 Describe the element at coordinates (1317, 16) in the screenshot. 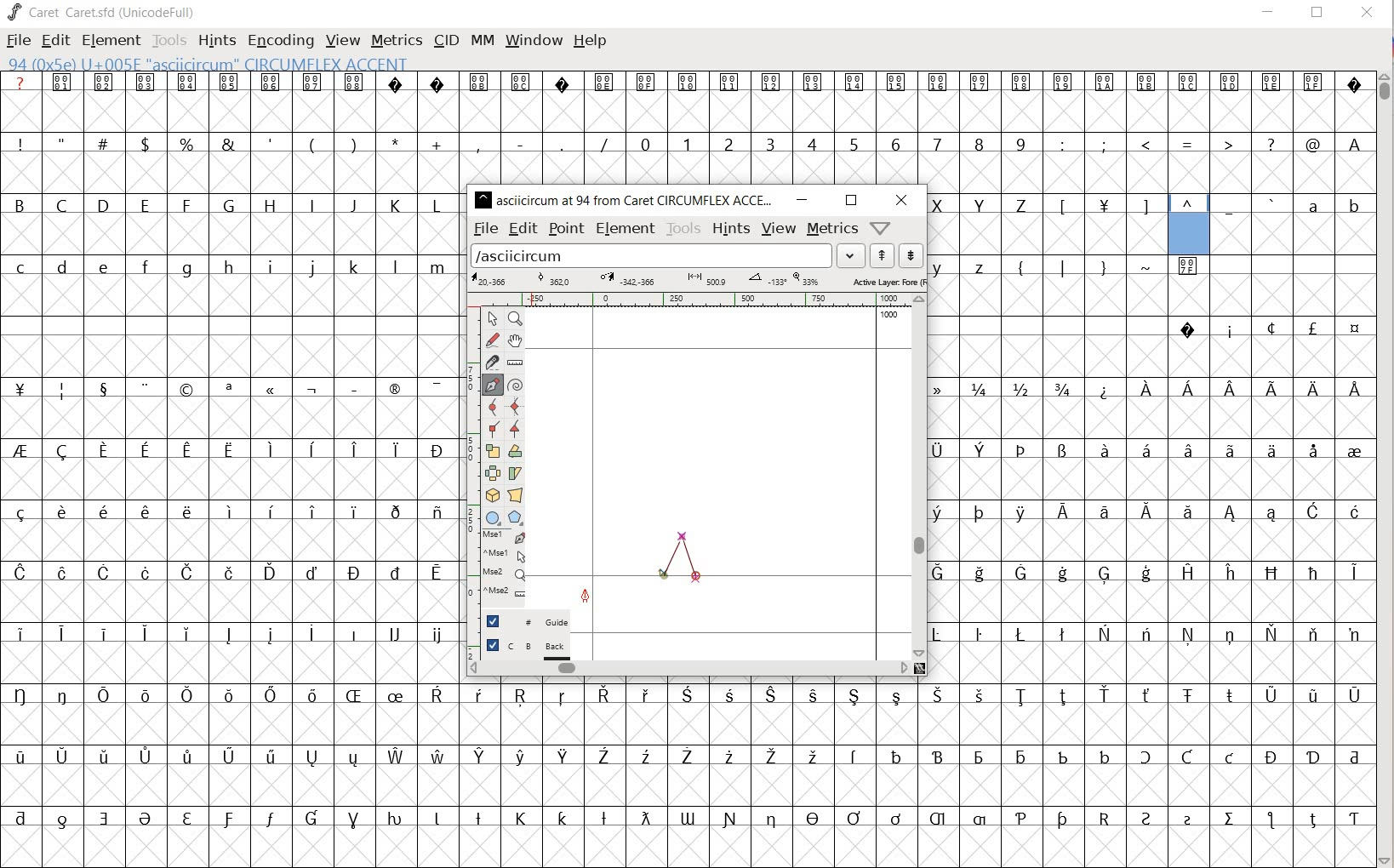

I see `RESTORE DOWN` at that location.